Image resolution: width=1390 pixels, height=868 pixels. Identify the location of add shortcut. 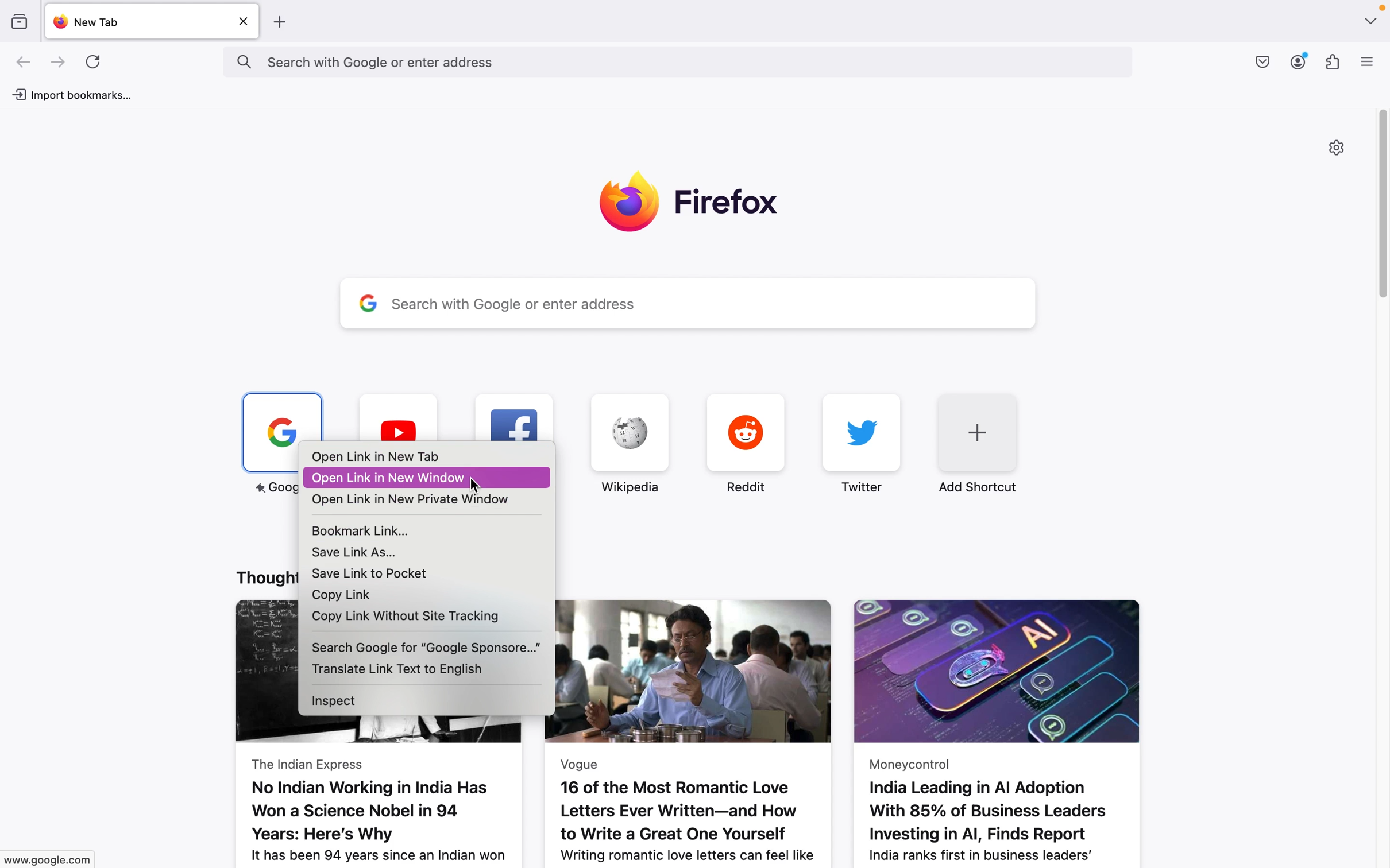
(980, 448).